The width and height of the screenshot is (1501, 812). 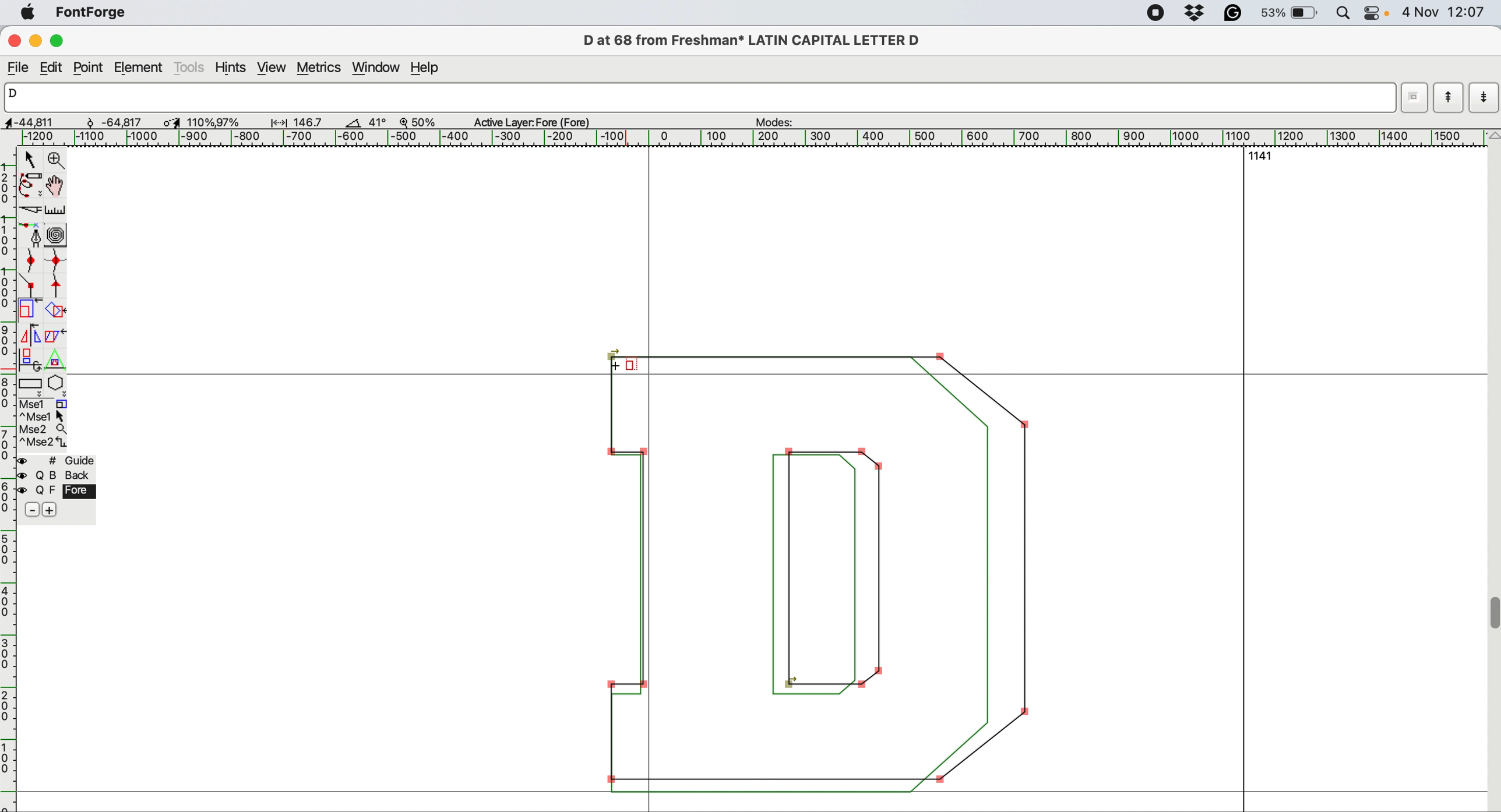 I want to click on edit, so click(x=55, y=68).